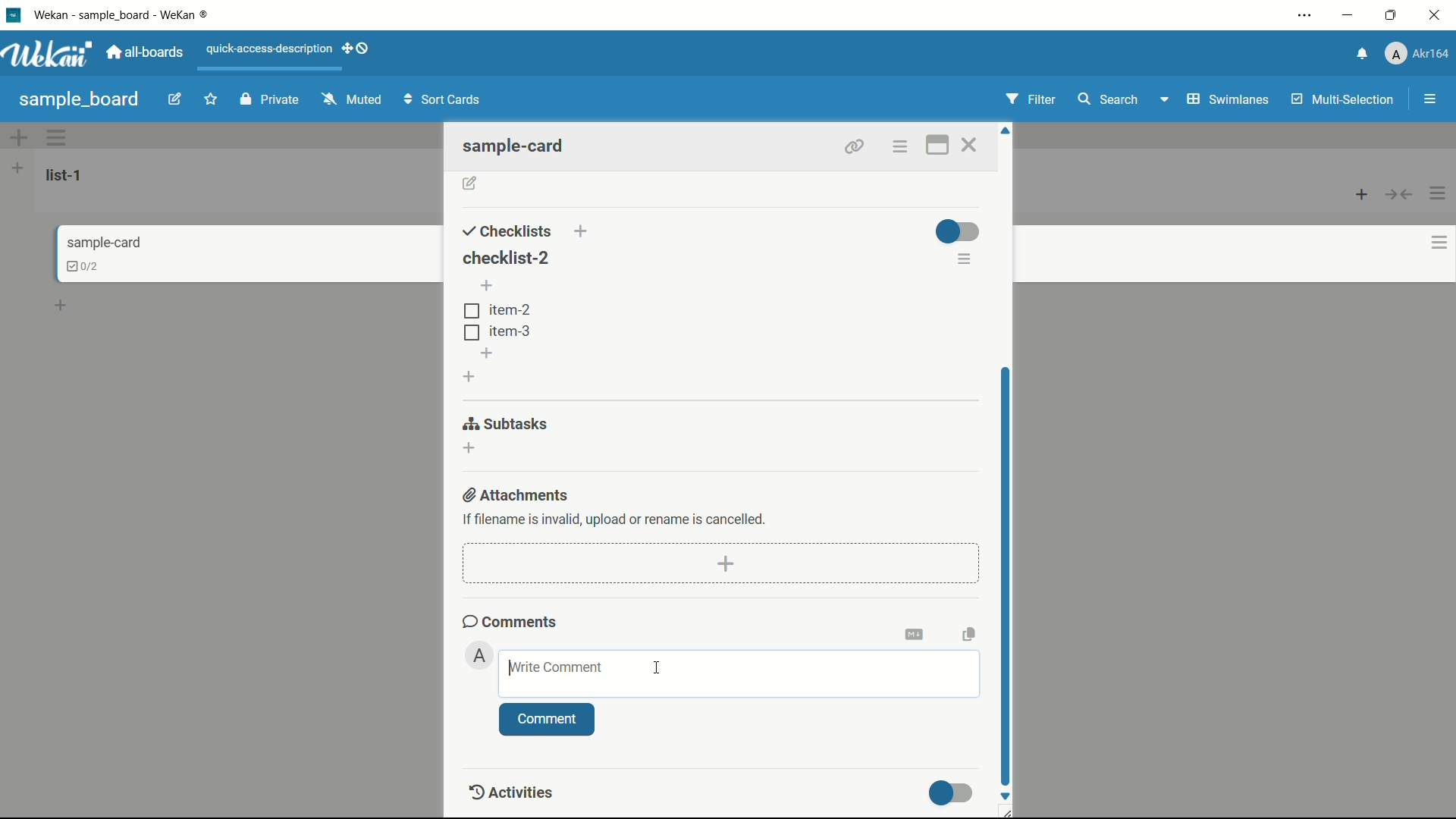 The image size is (1456, 819). Describe the element at coordinates (177, 101) in the screenshot. I see `edit` at that location.